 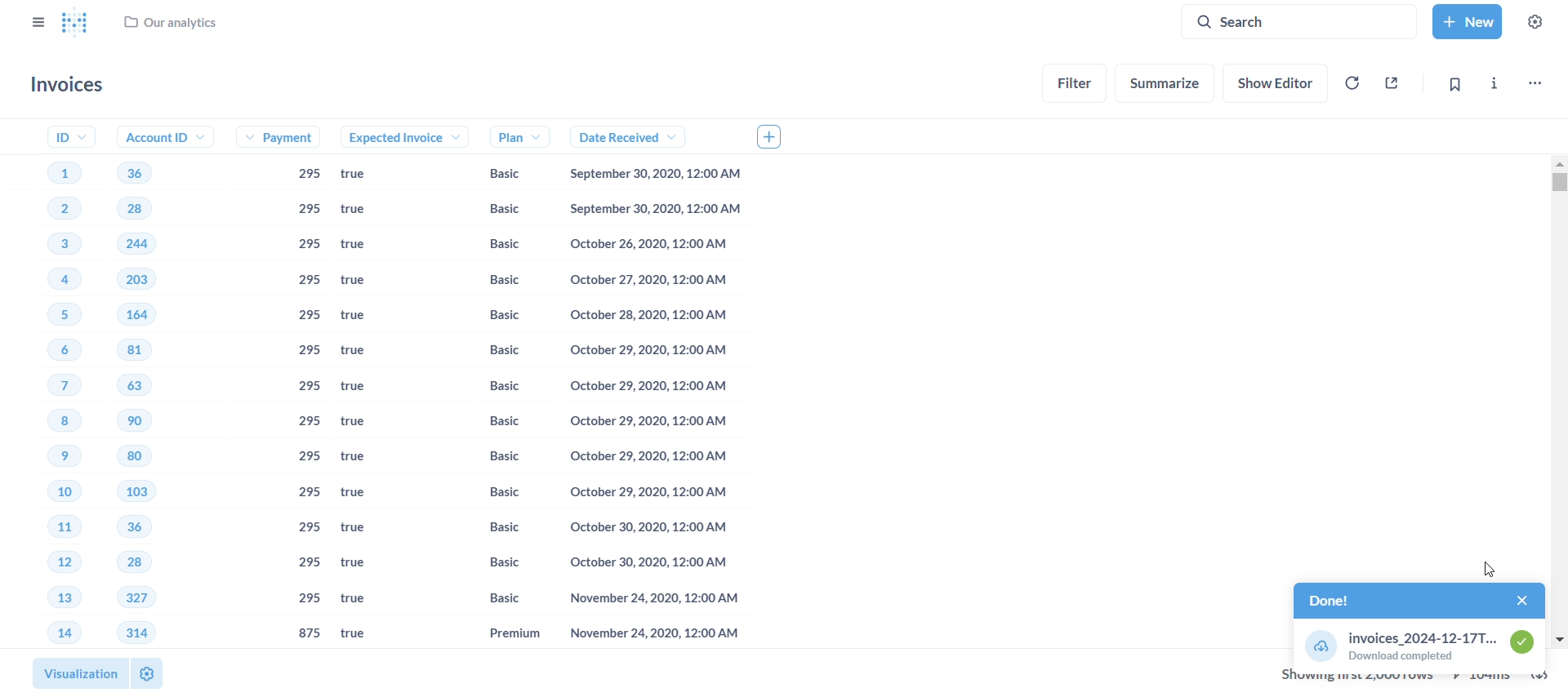 What do you see at coordinates (648, 634) in the screenshot?
I see `November 24,2020, 12:00 AM` at bounding box center [648, 634].